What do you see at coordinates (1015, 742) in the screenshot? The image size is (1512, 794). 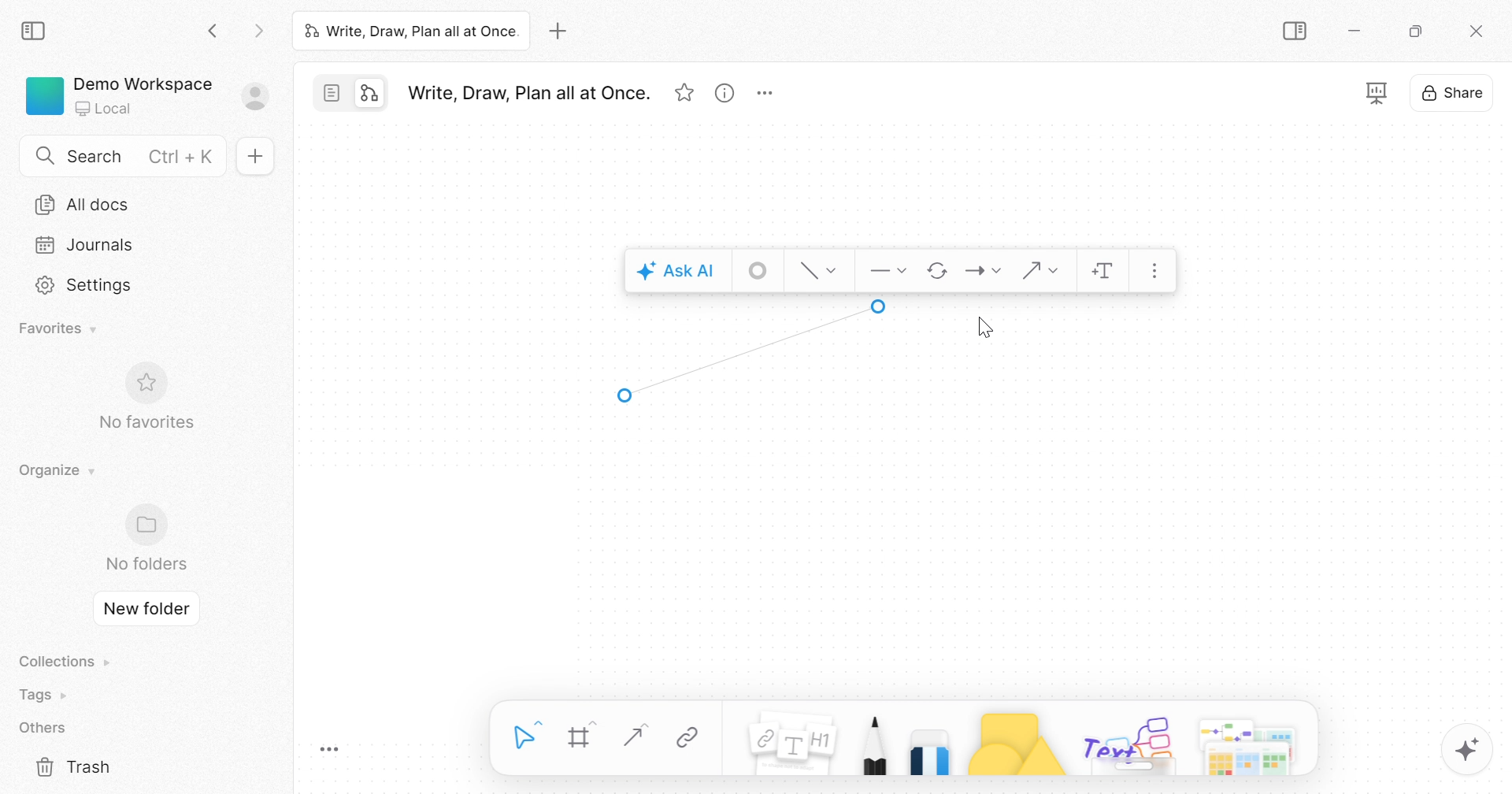 I see `Shape` at bounding box center [1015, 742].